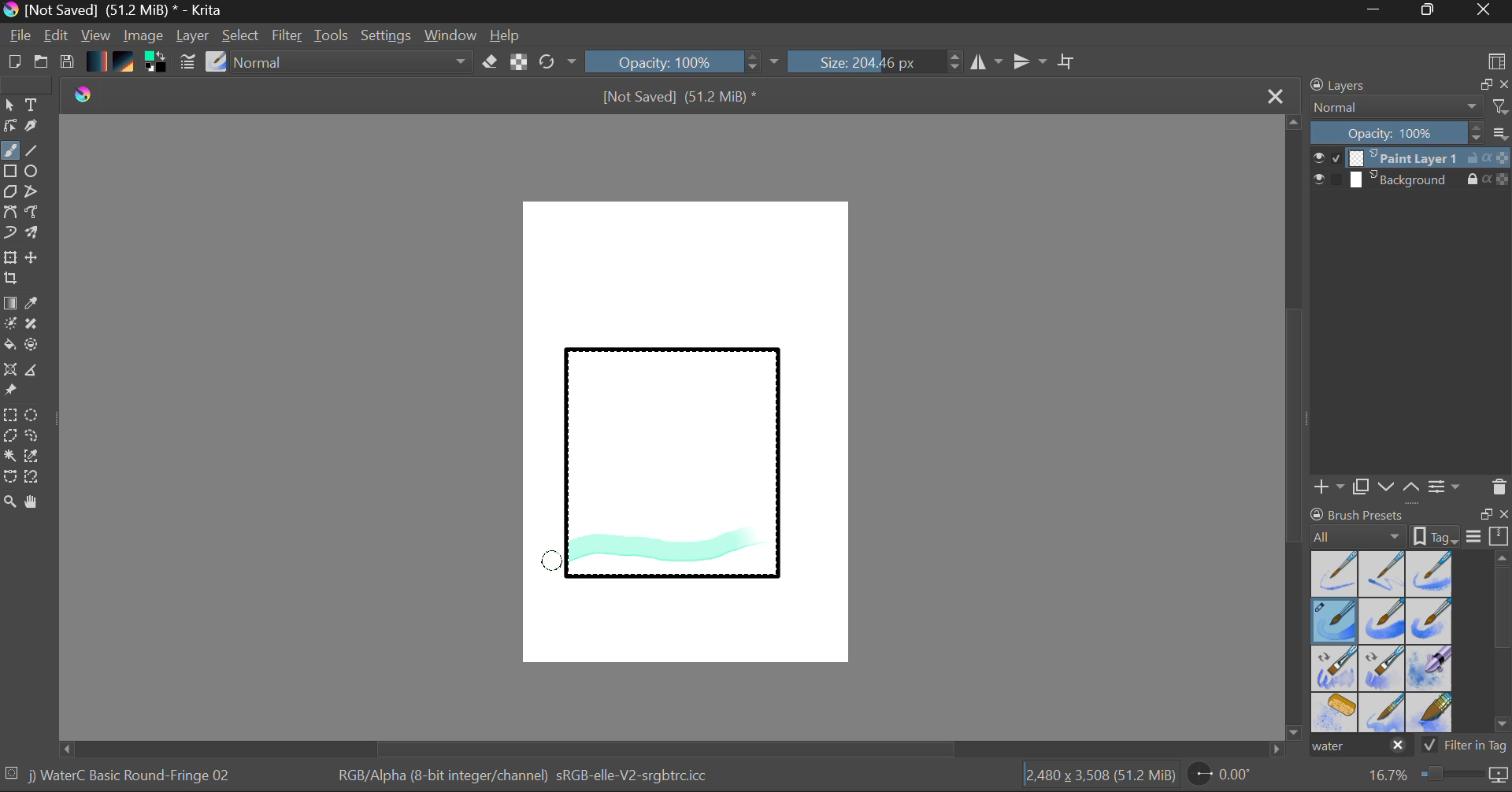 Image resolution: width=1512 pixels, height=792 pixels. Describe the element at coordinates (9, 256) in the screenshot. I see `Transform Layer` at that location.